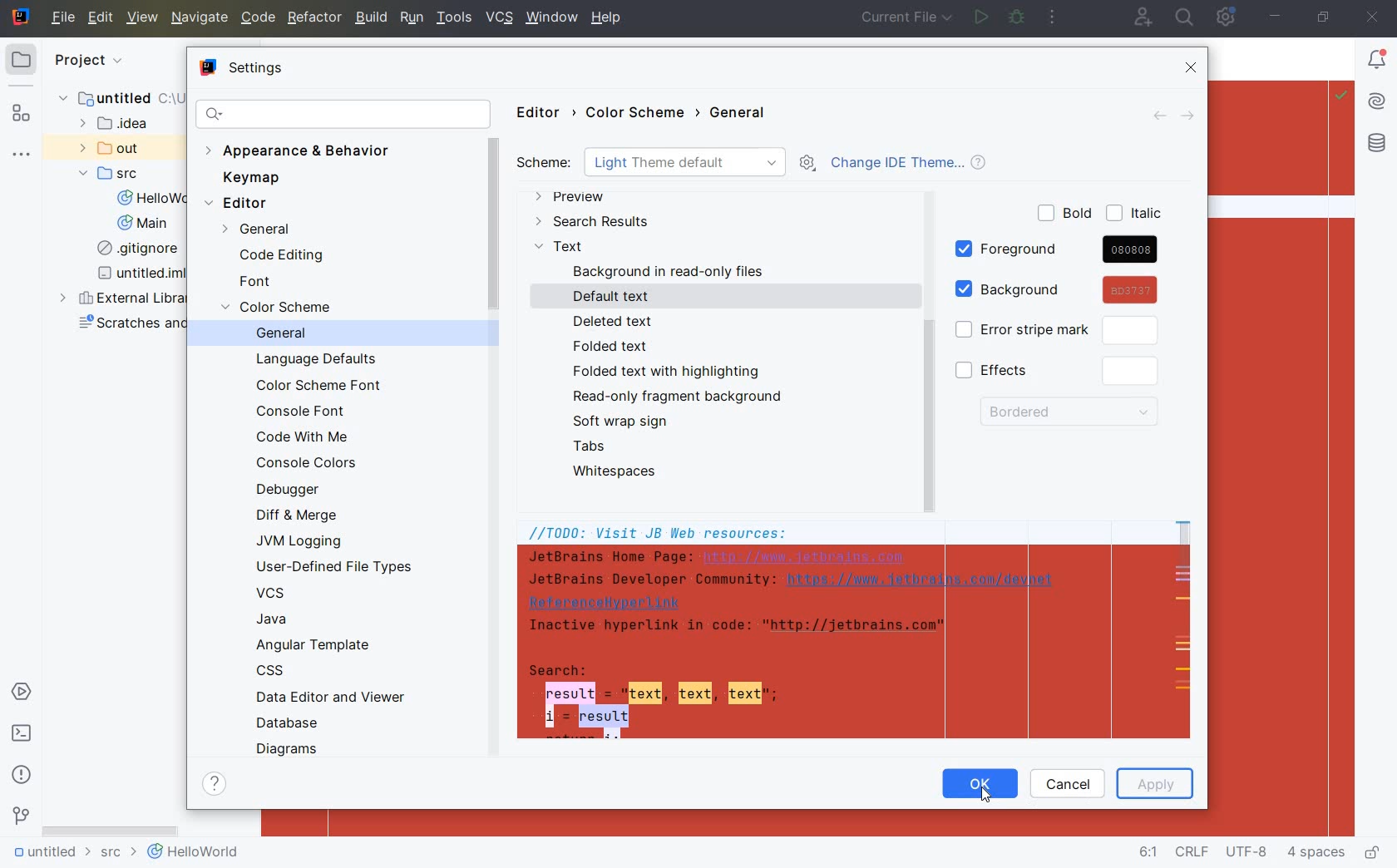  What do you see at coordinates (292, 334) in the screenshot?
I see `GENERAL` at bounding box center [292, 334].